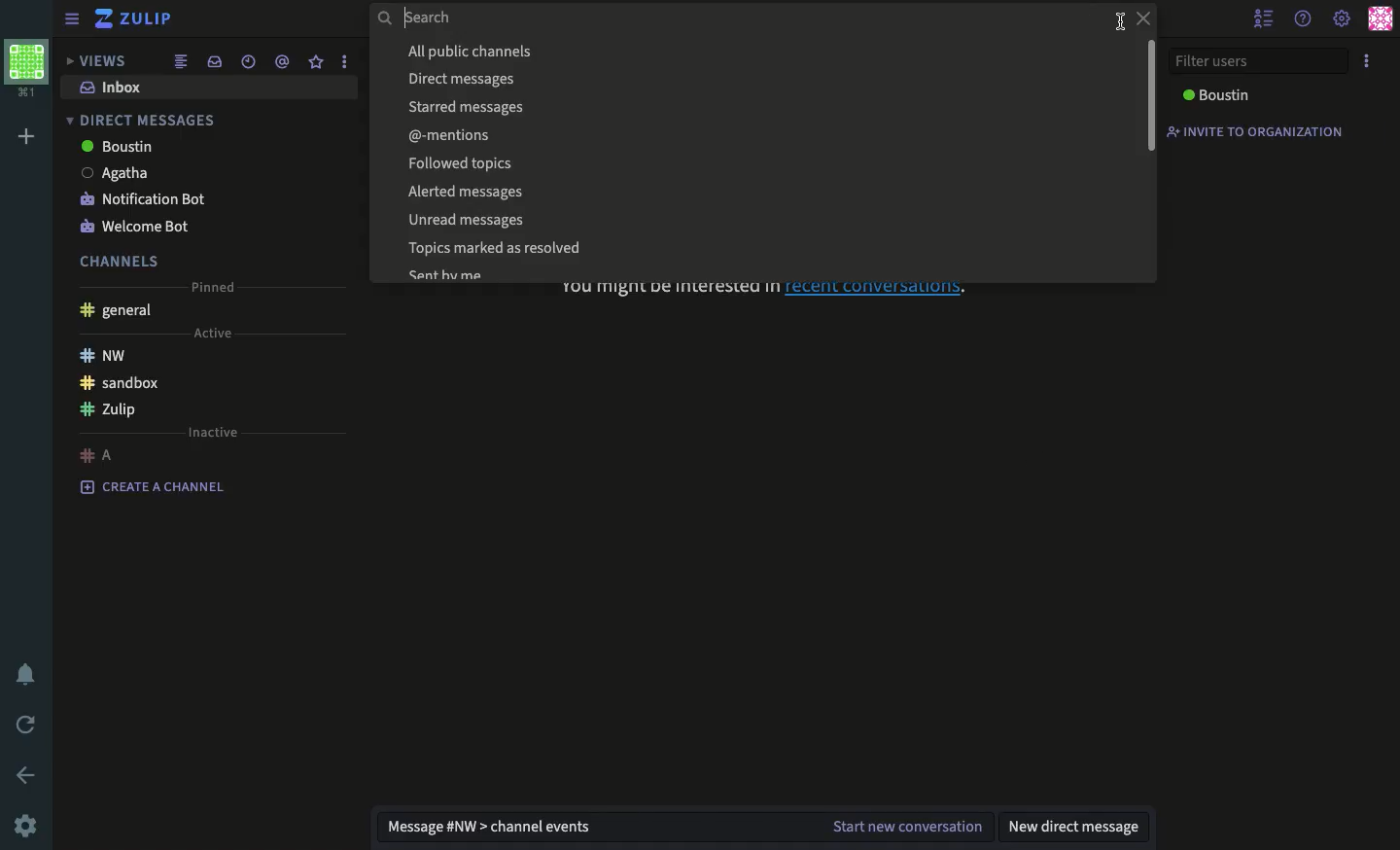 The height and width of the screenshot is (850, 1400). What do you see at coordinates (905, 827) in the screenshot?
I see `start new conversation` at bounding box center [905, 827].